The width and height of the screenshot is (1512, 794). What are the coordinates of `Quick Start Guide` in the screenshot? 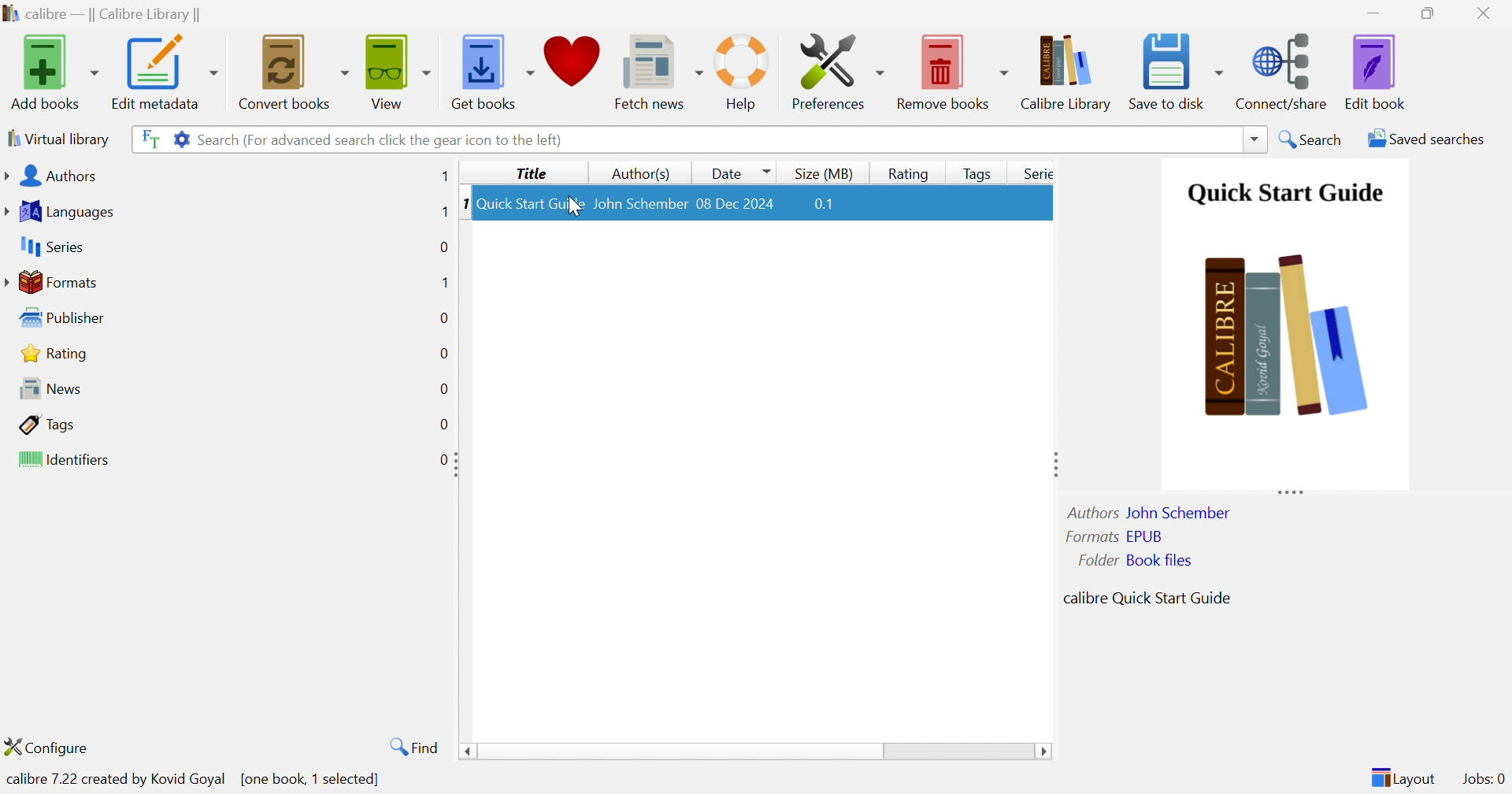 It's located at (528, 202).